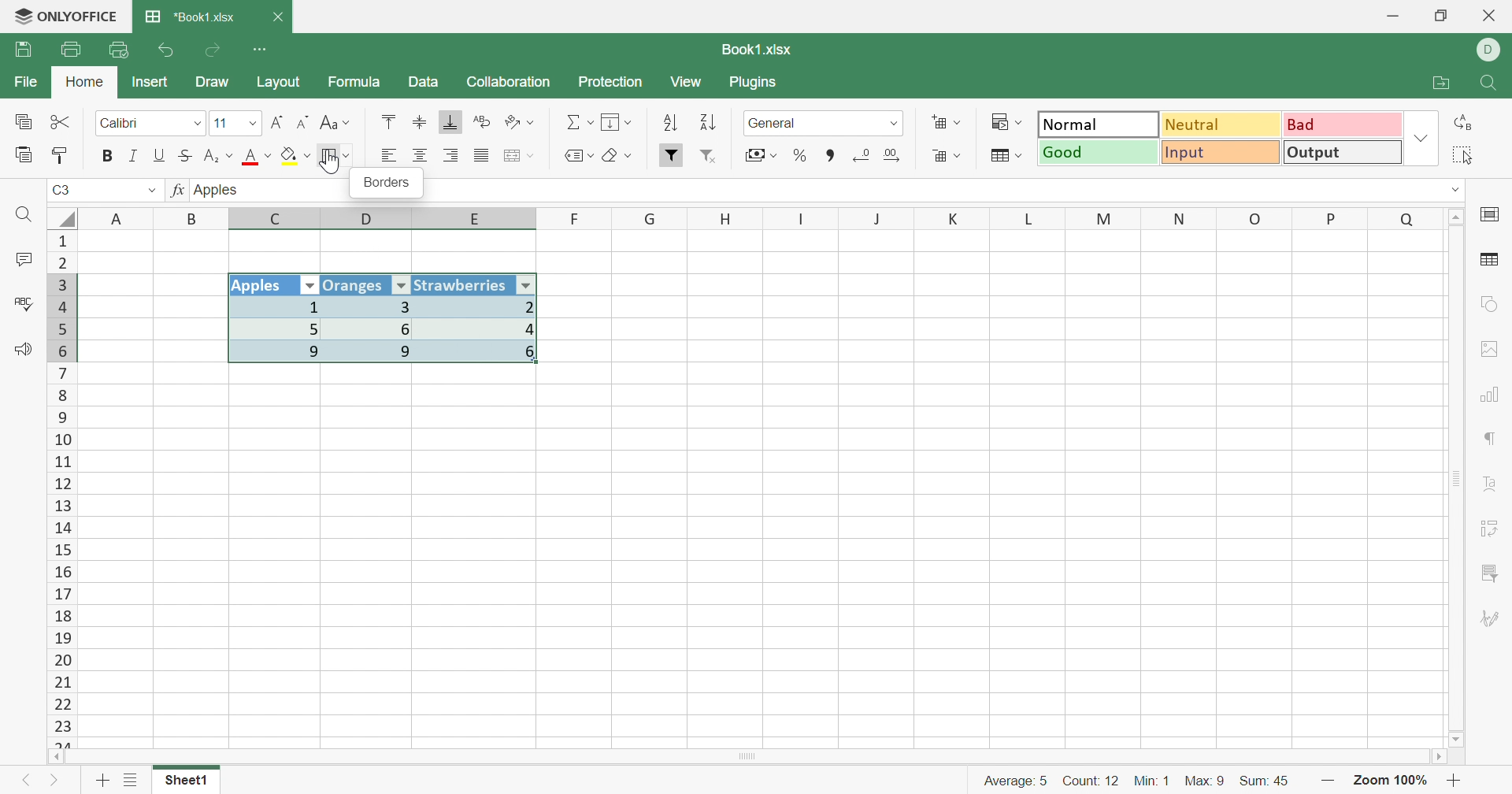 This screenshot has height=794, width=1512. What do you see at coordinates (1206, 777) in the screenshot?
I see `Max: 0` at bounding box center [1206, 777].